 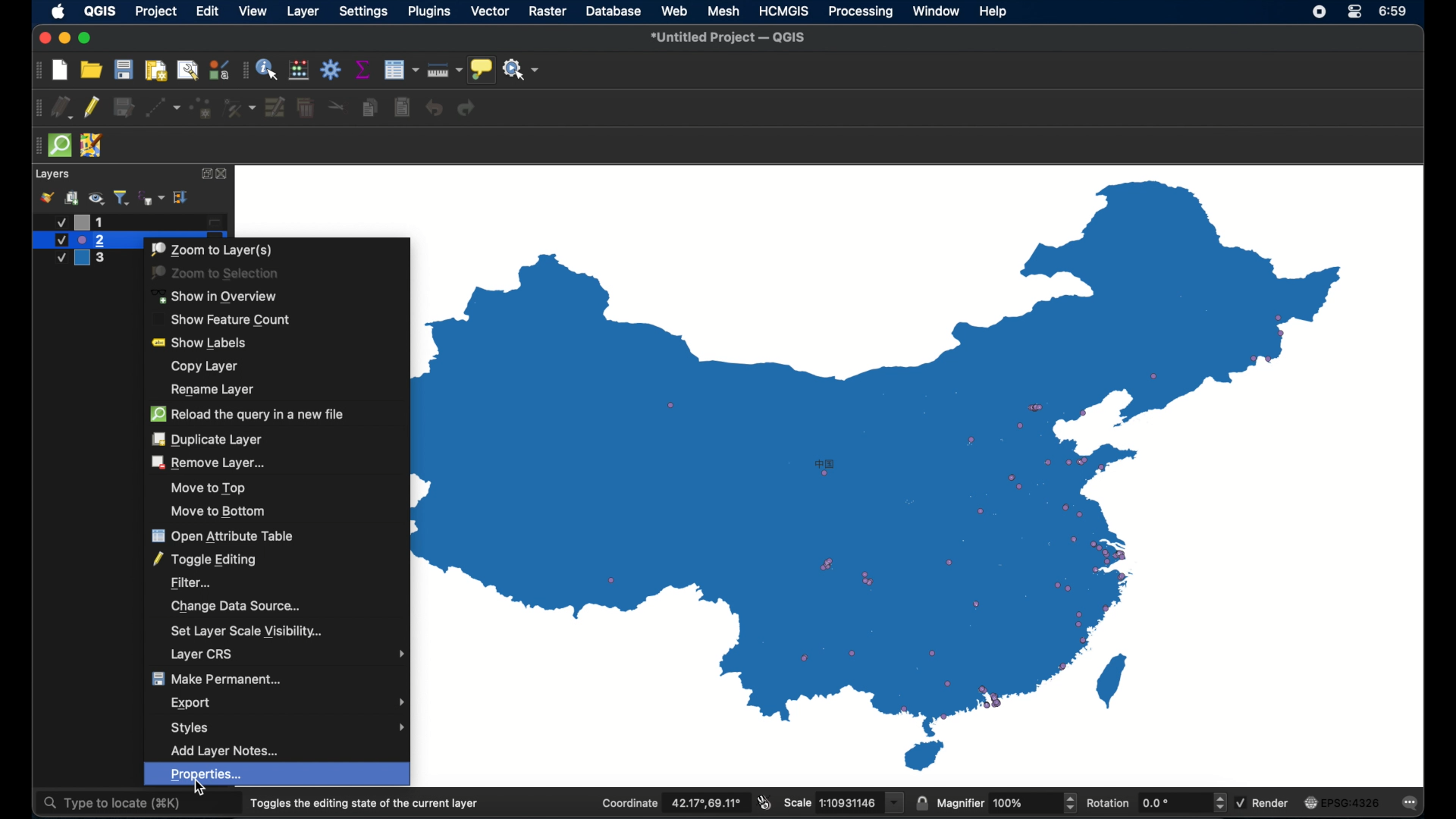 What do you see at coordinates (209, 440) in the screenshot?
I see `duplicate layer` at bounding box center [209, 440].